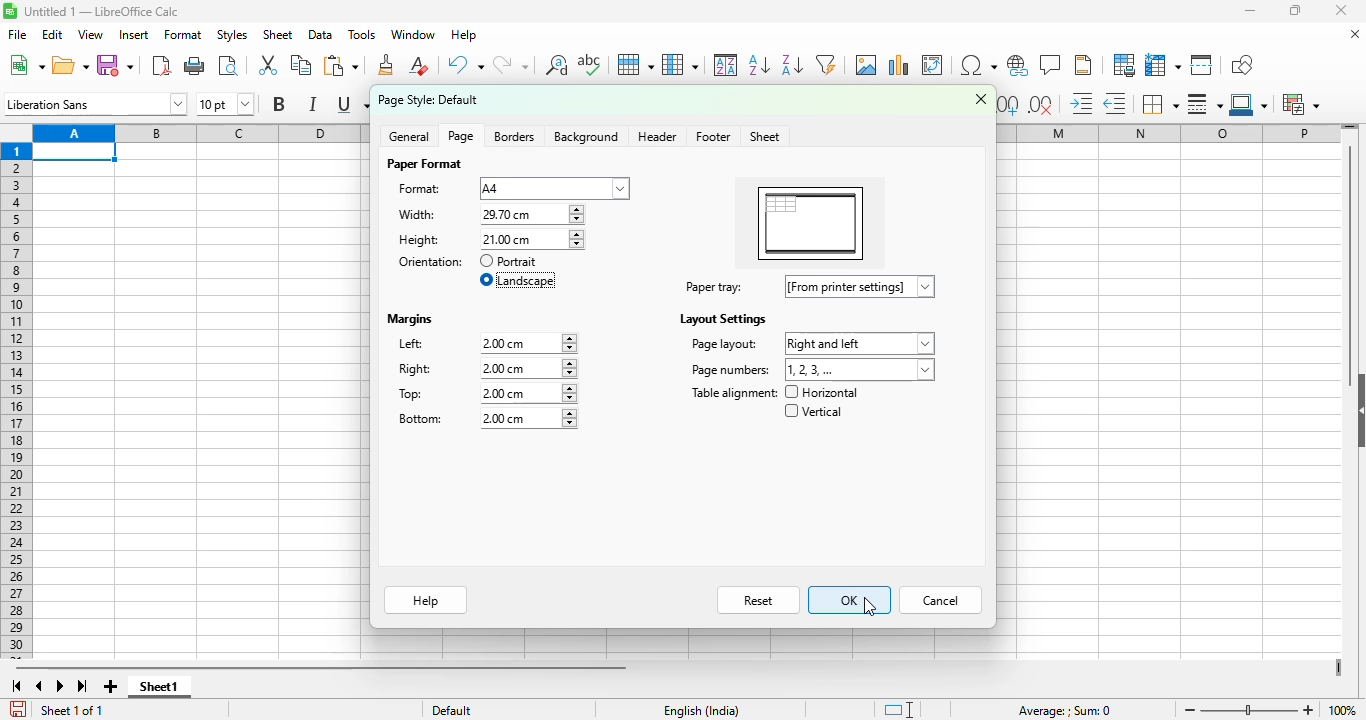 Image resolution: width=1366 pixels, height=720 pixels. What do you see at coordinates (792, 65) in the screenshot?
I see `sort descending` at bounding box center [792, 65].